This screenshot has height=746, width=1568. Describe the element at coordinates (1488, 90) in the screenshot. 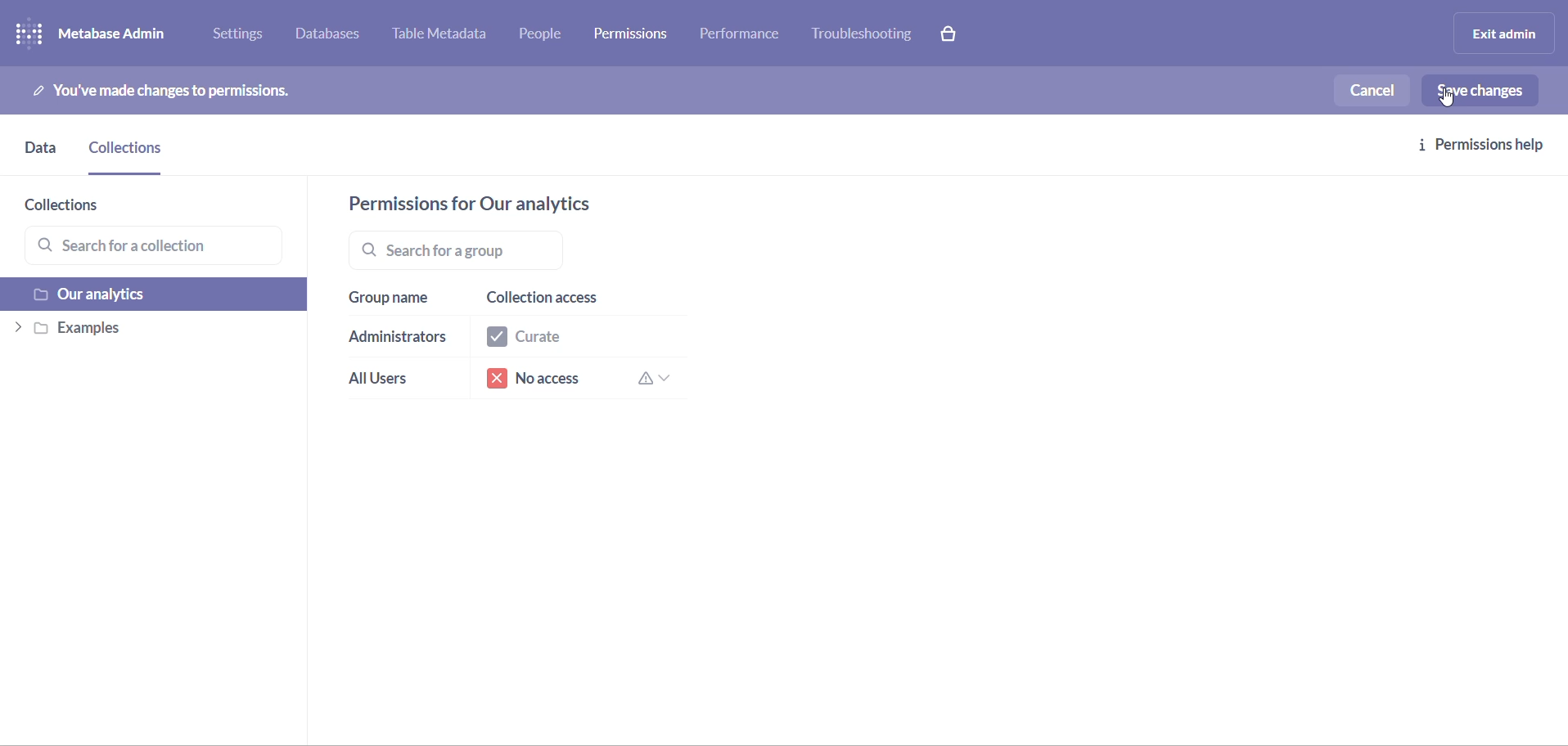

I see `save changes` at that location.